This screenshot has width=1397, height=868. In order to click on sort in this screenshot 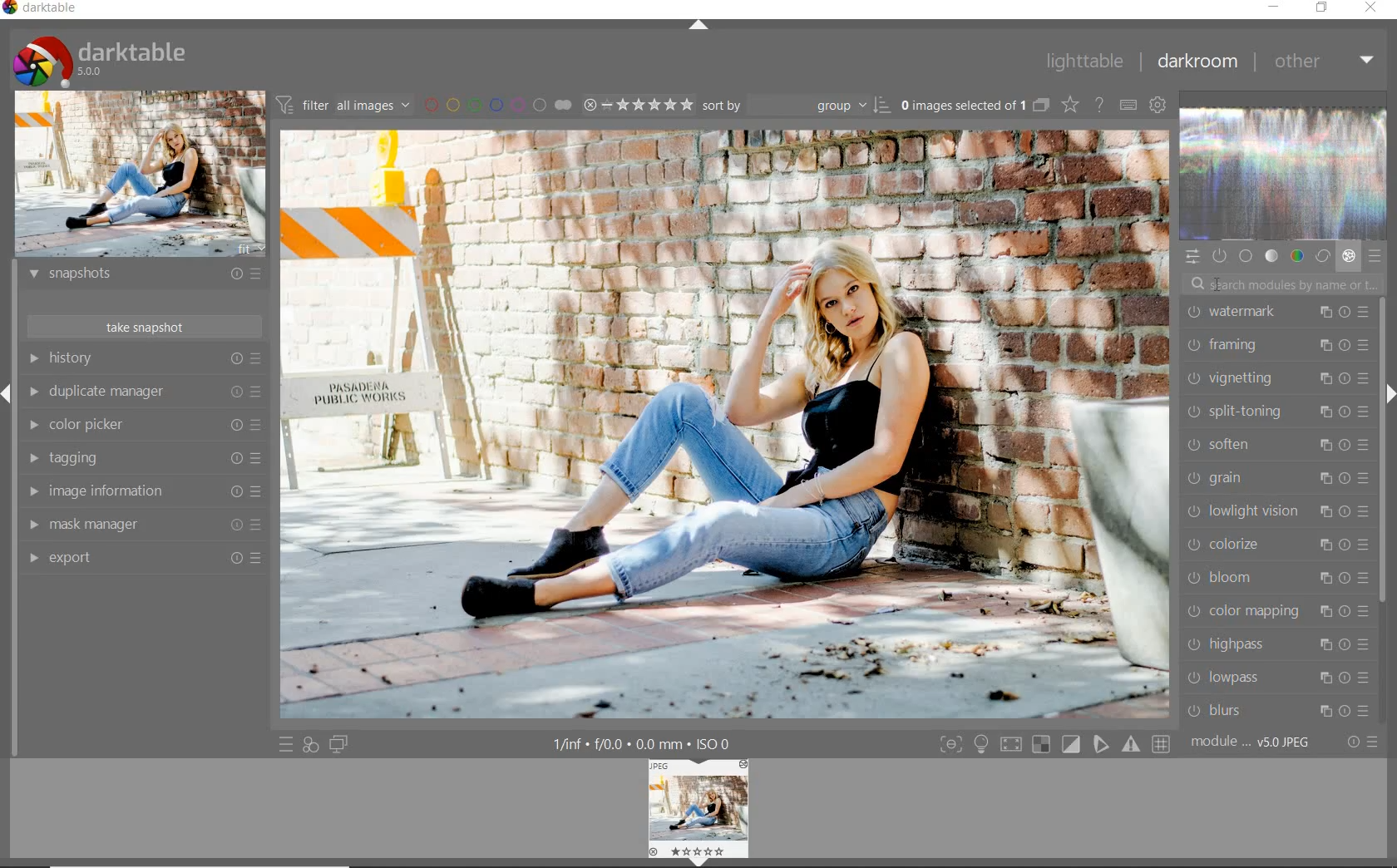, I will do `click(797, 108)`.